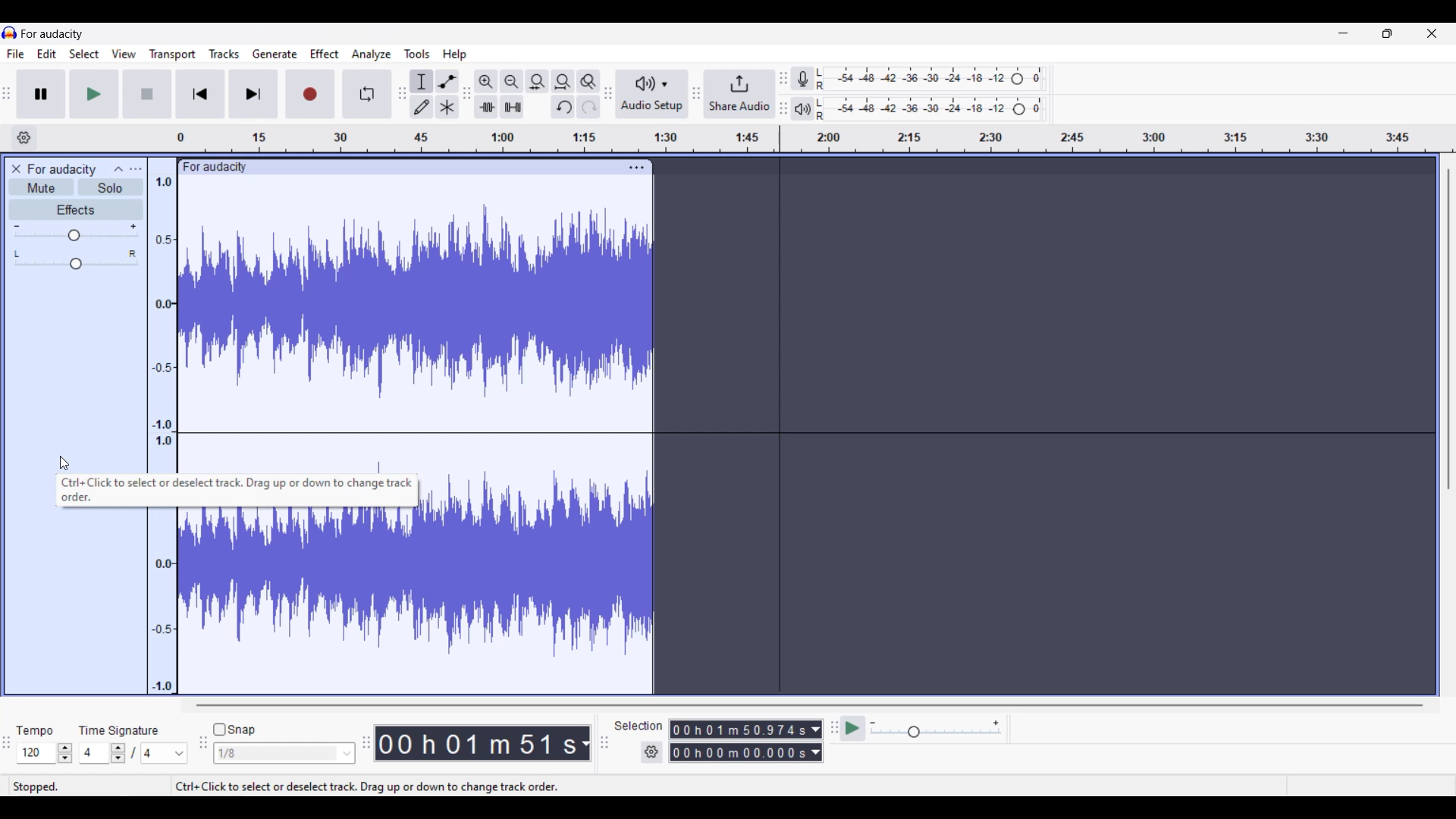  I want to click on for audacity, so click(214, 167).